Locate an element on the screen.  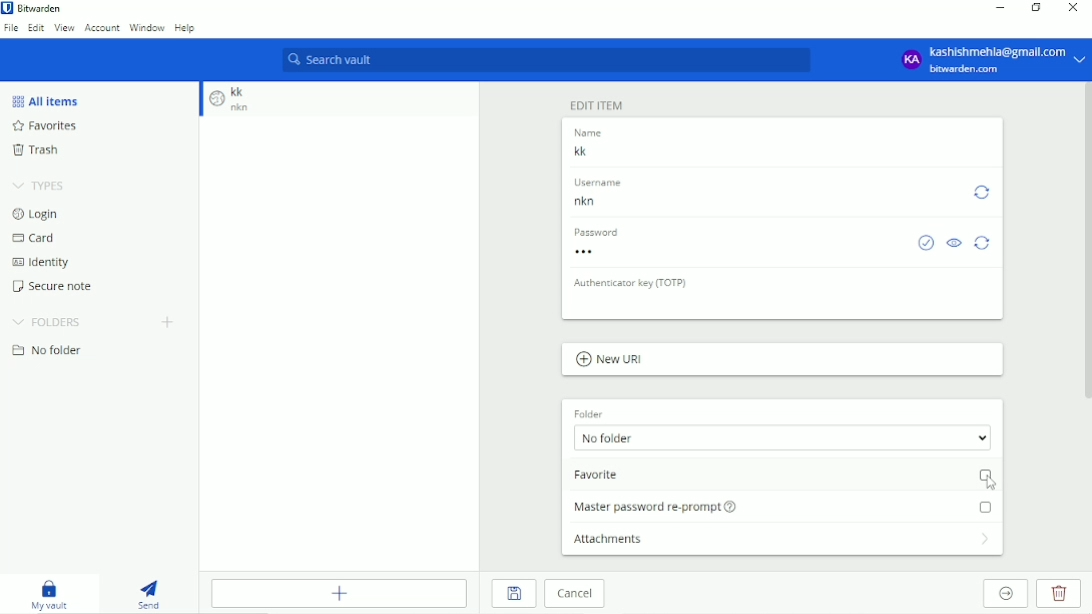
Folder is located at coordinates (592, 413).